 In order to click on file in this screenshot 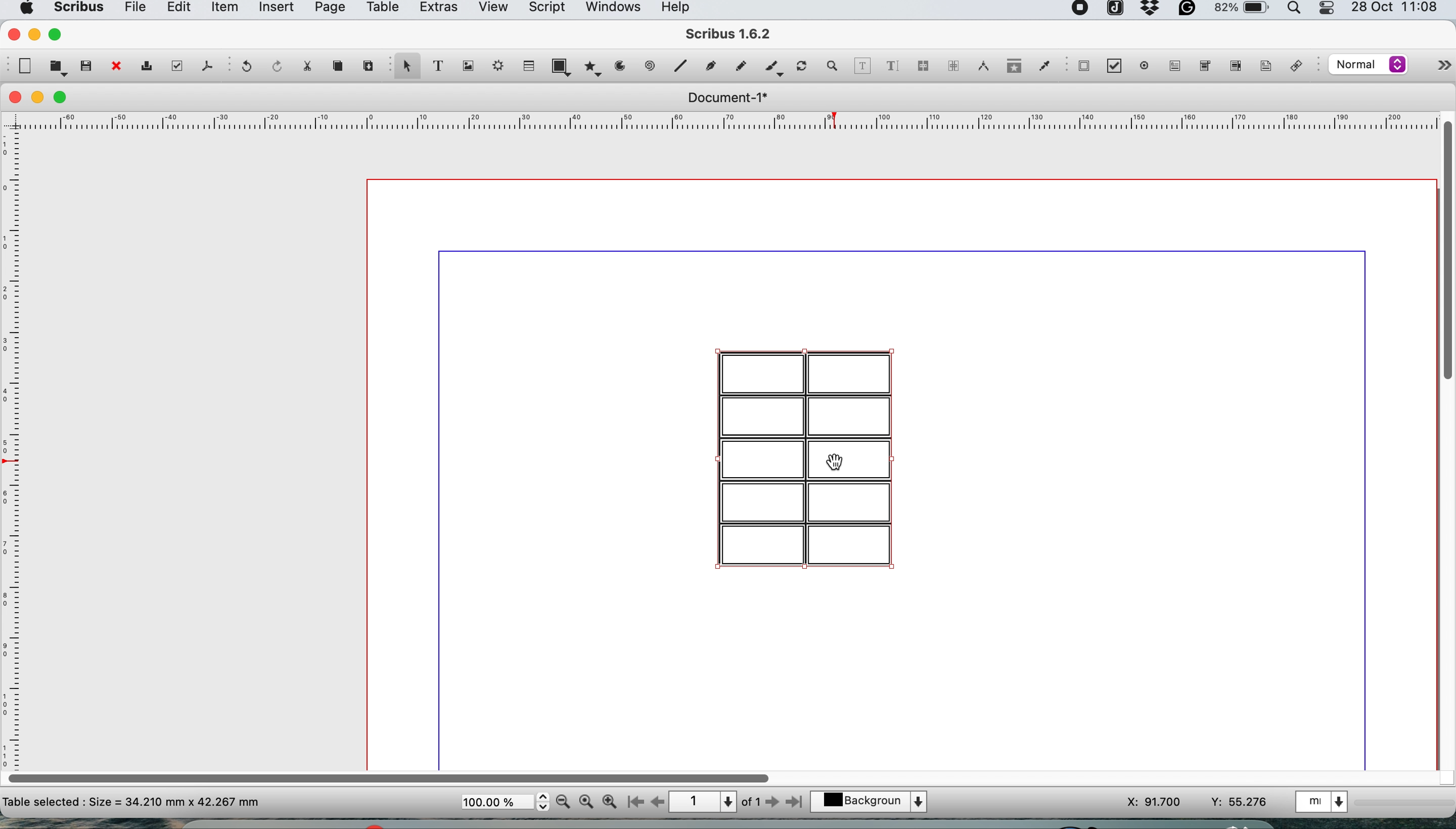, I will do `click(133, 10)`.